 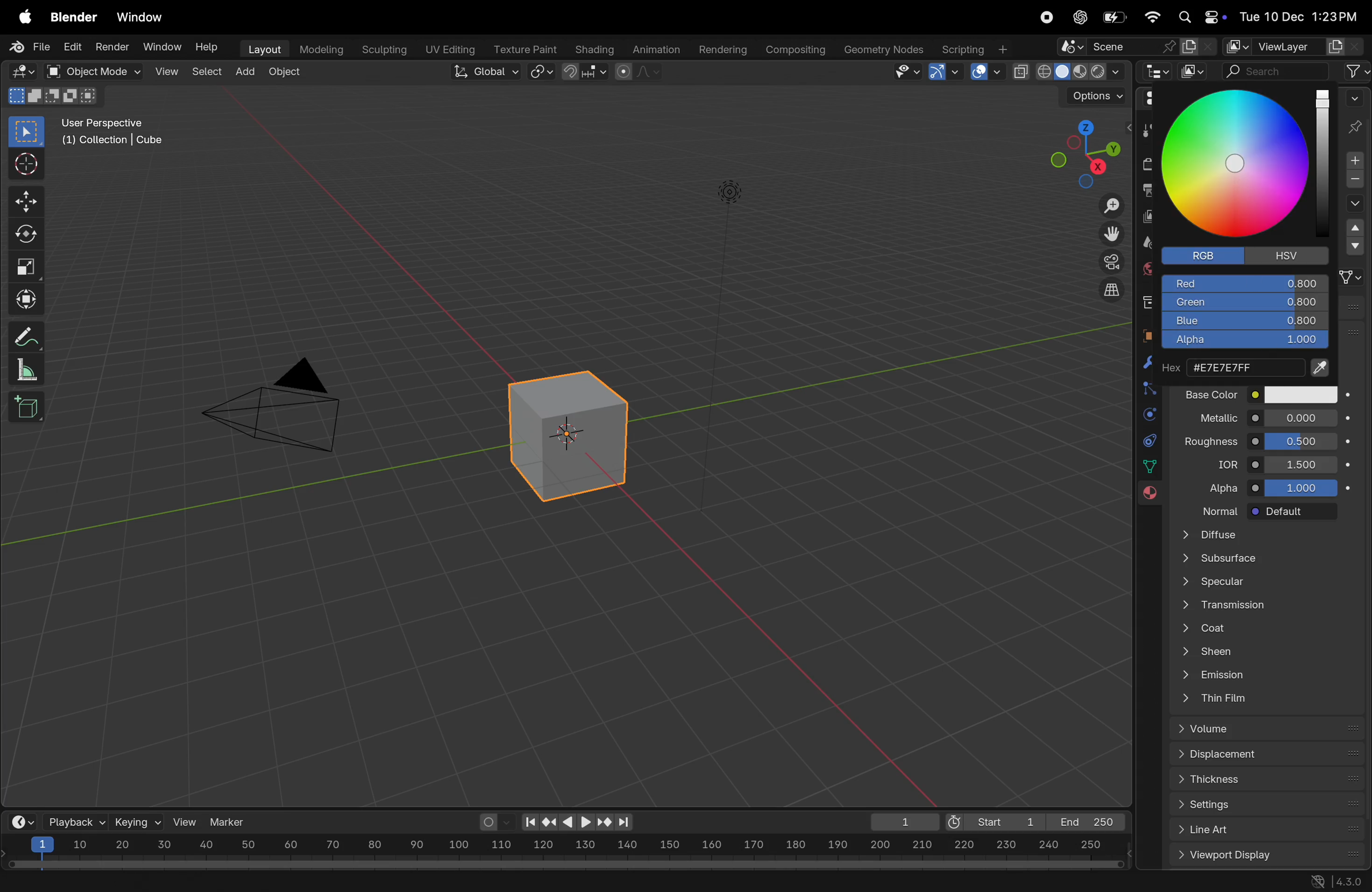 What do you see at coordinates (1352, 161) in the screenshot?
I see `add material` at bounding box center [1352, 161].